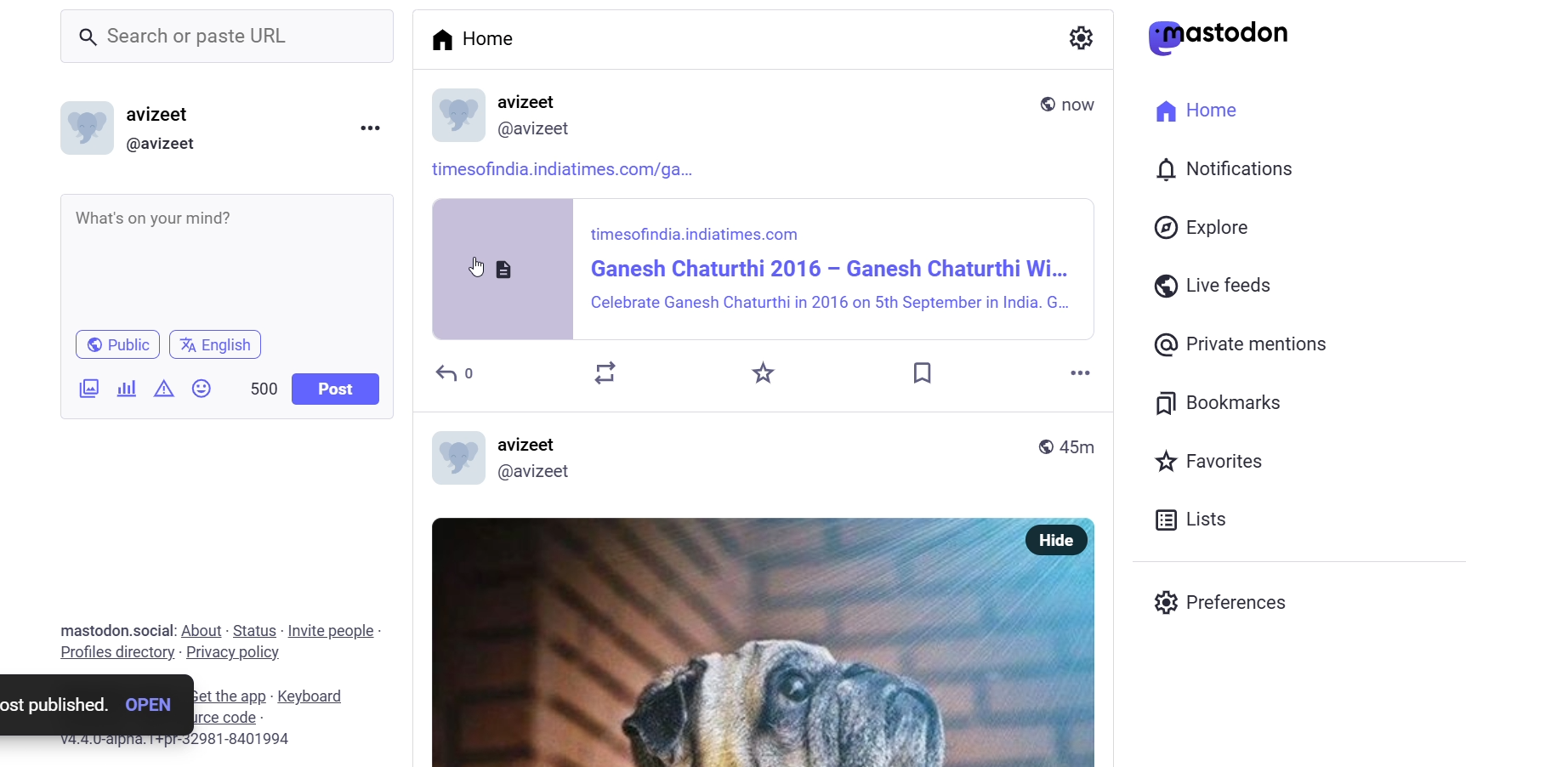  Describe the element at coordinates (456, 116) in the screenshot. I see `display picture` at that location.